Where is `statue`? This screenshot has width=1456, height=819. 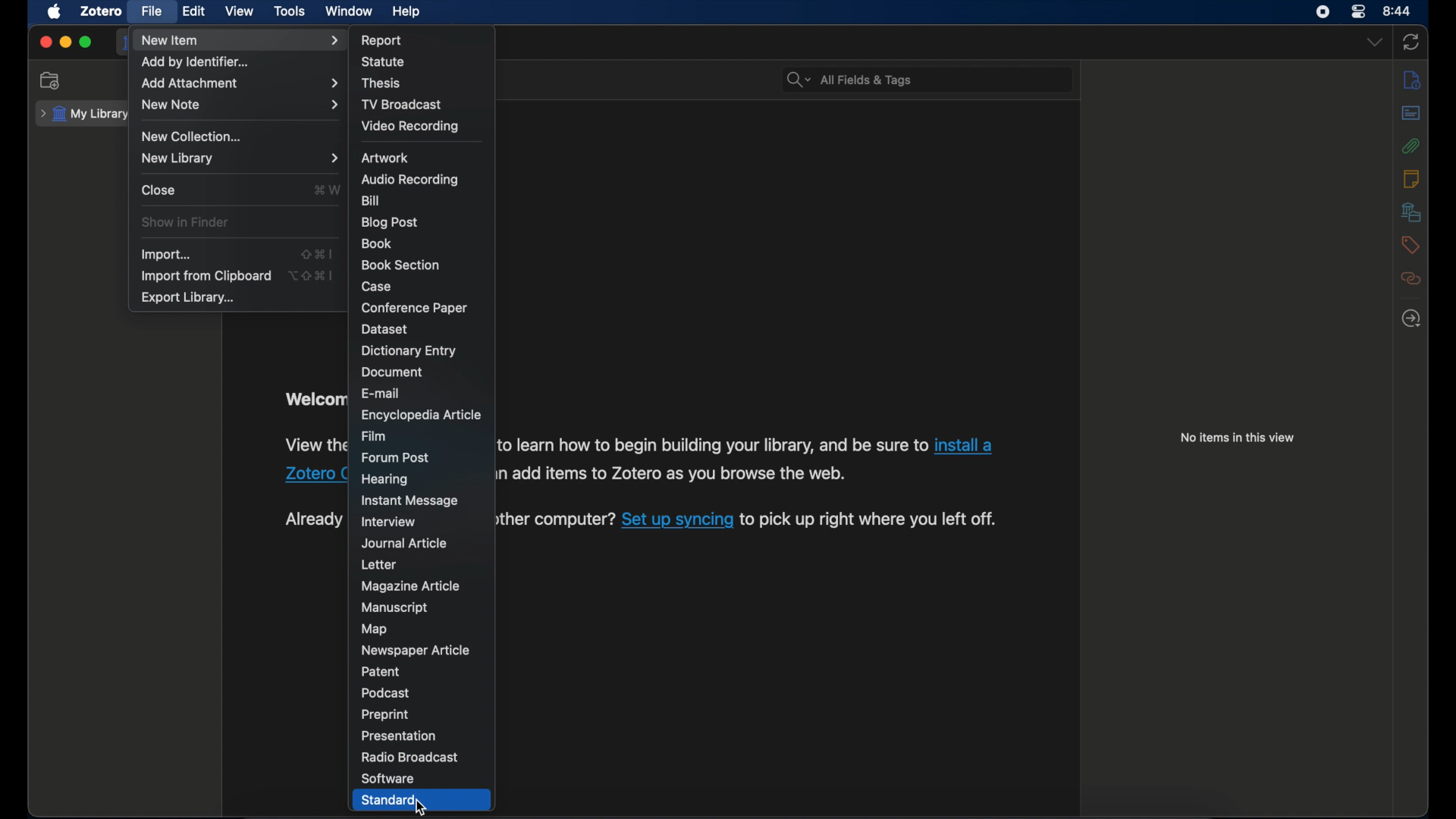 statue is located at coordinates (386, 62).